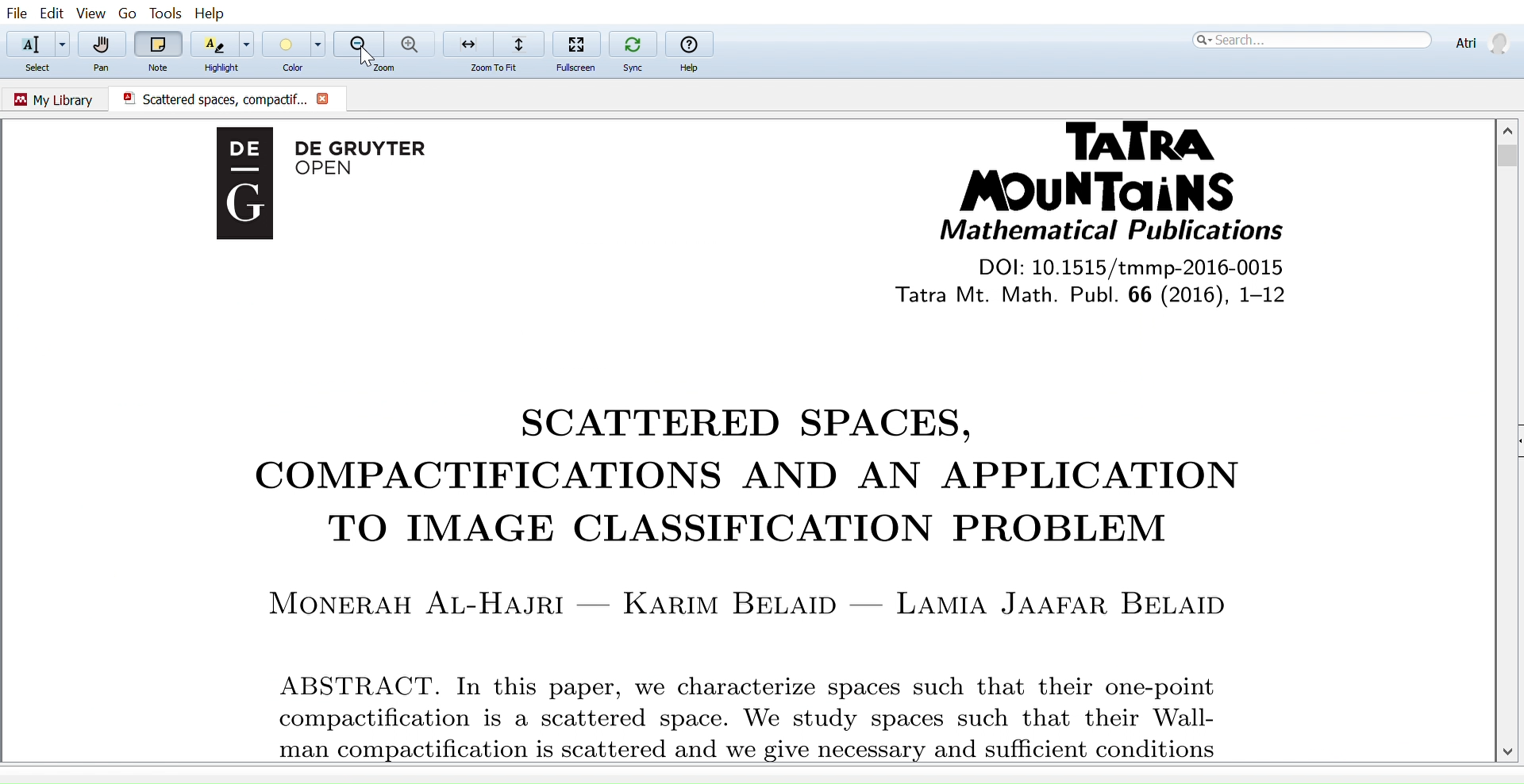 The width and height of the screenshot is (1524, 784). I want to click on Help, so click(692, 68).